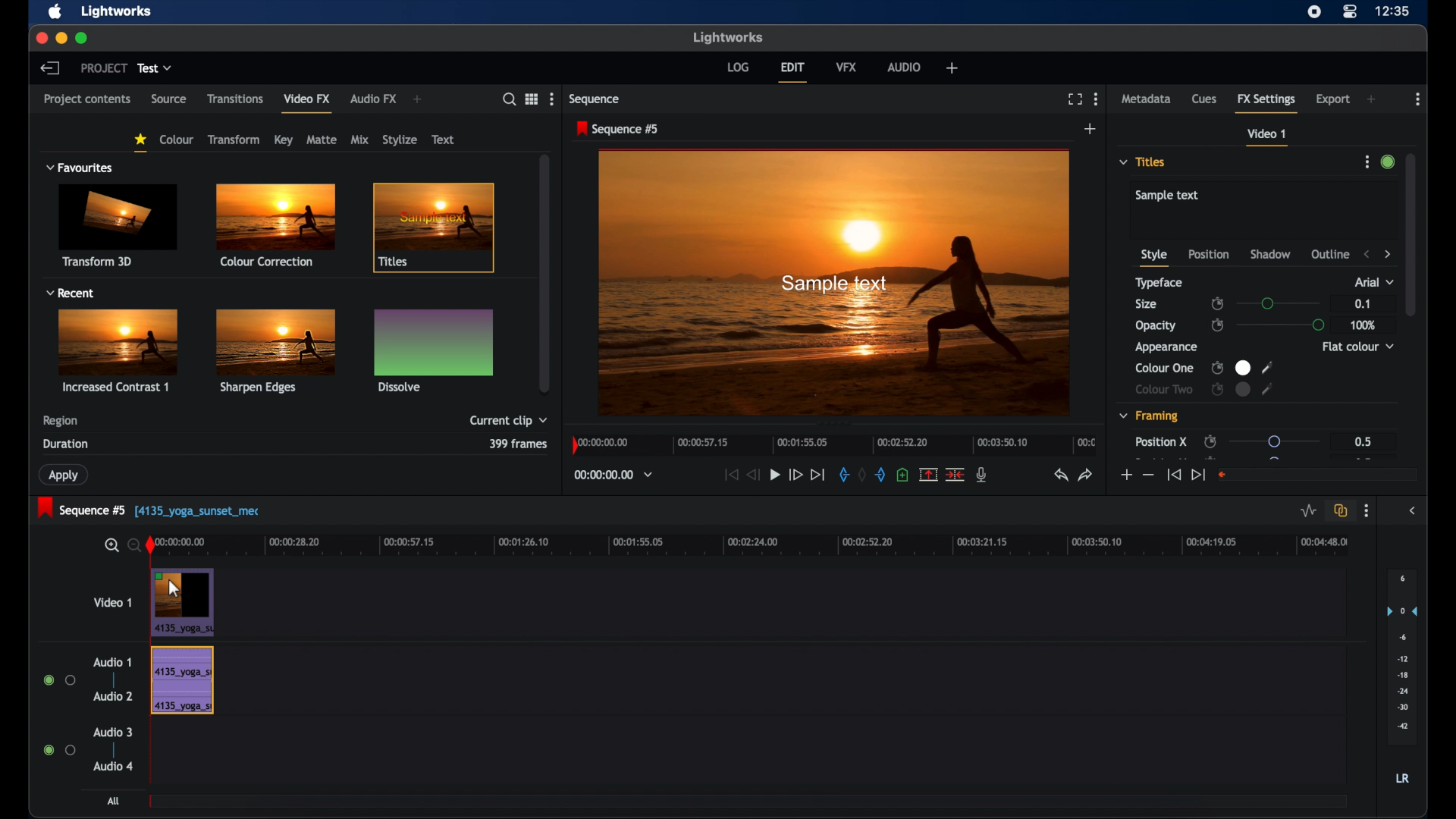 Image resolution: width=1456 pixels, height=819 pixels. What do you see at coordinates (1205, 99) in the screenshot?
I see `cues` at bounding box center [1205, 99].